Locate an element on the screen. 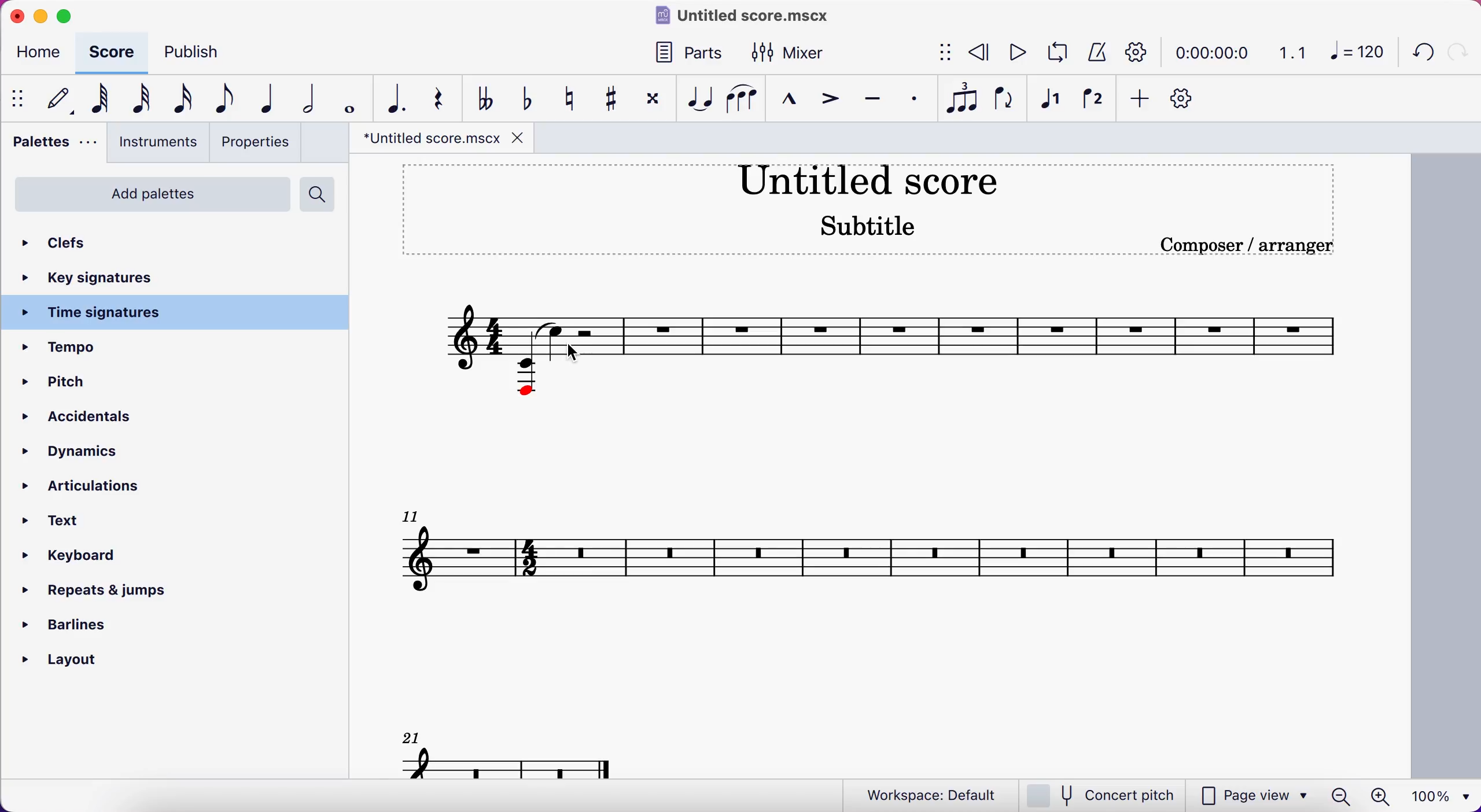 The height and width of the screenshot is (812, 1481). *untitled score.mscx is located at coordinates (445, 139).